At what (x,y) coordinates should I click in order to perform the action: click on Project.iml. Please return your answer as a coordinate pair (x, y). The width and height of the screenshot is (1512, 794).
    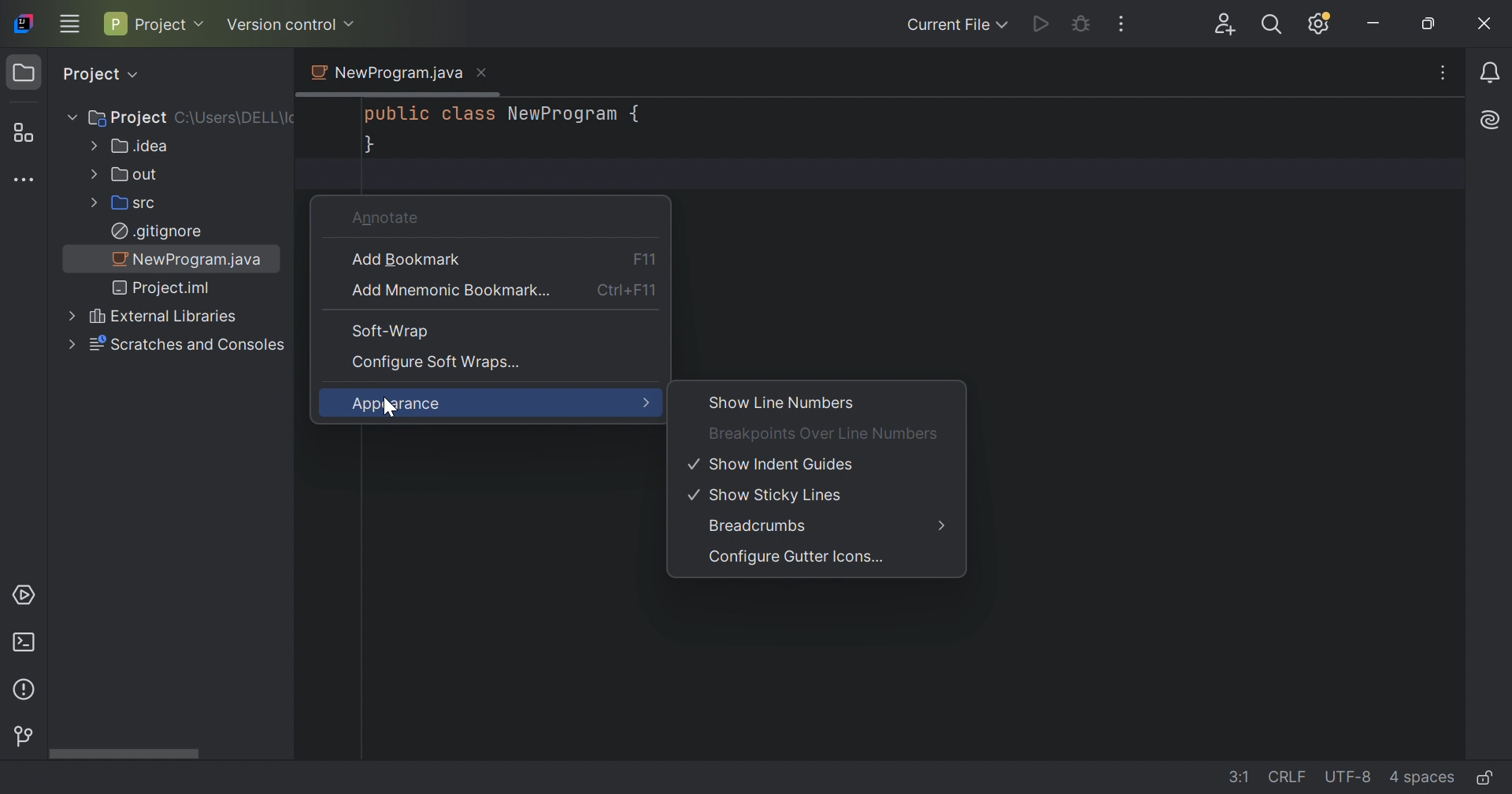
    Looking at the image, I should click on (165, 288).